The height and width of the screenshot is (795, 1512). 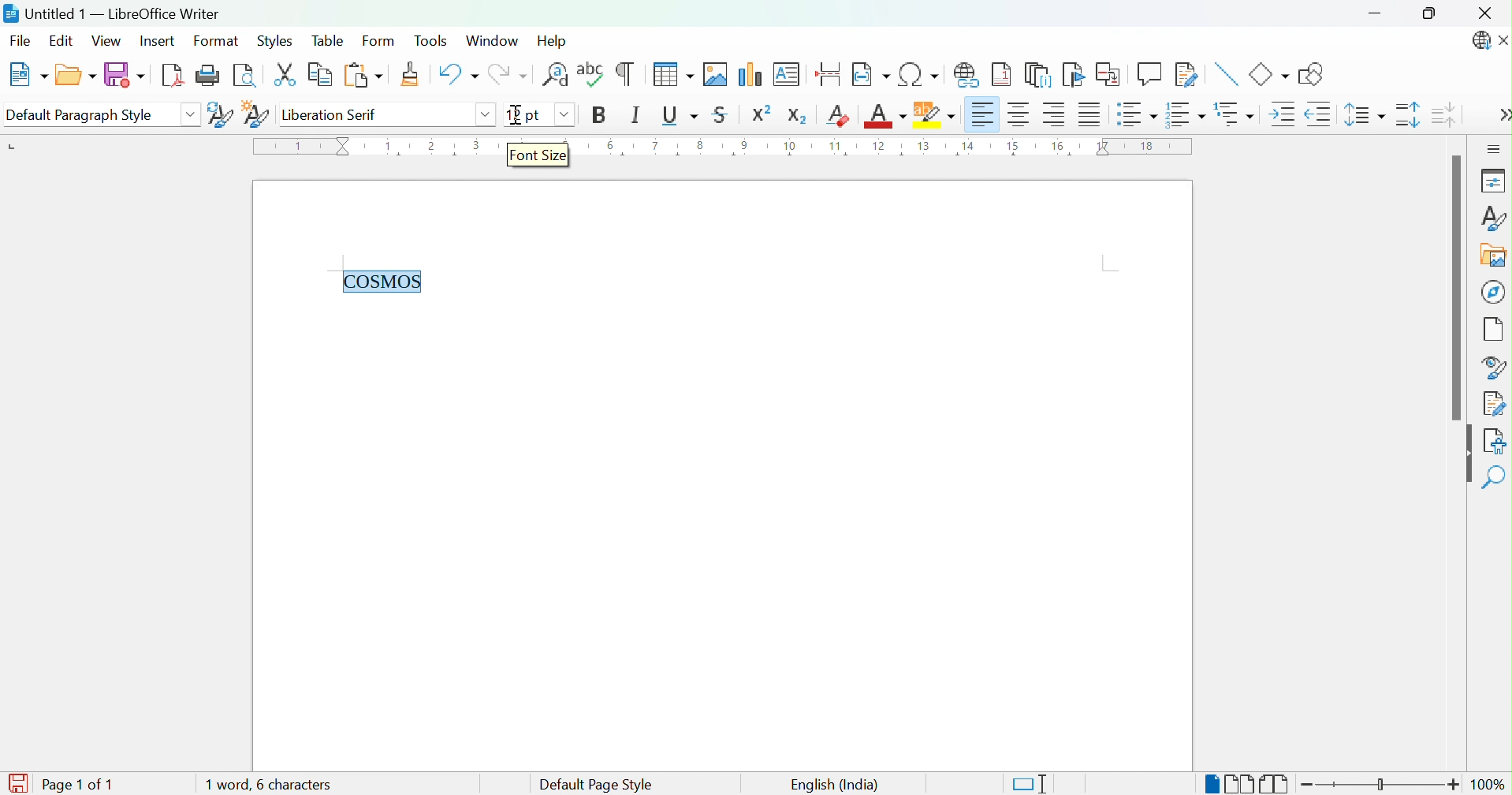 I want to click on Toggle ordered list, so click(x=1187, y=114).